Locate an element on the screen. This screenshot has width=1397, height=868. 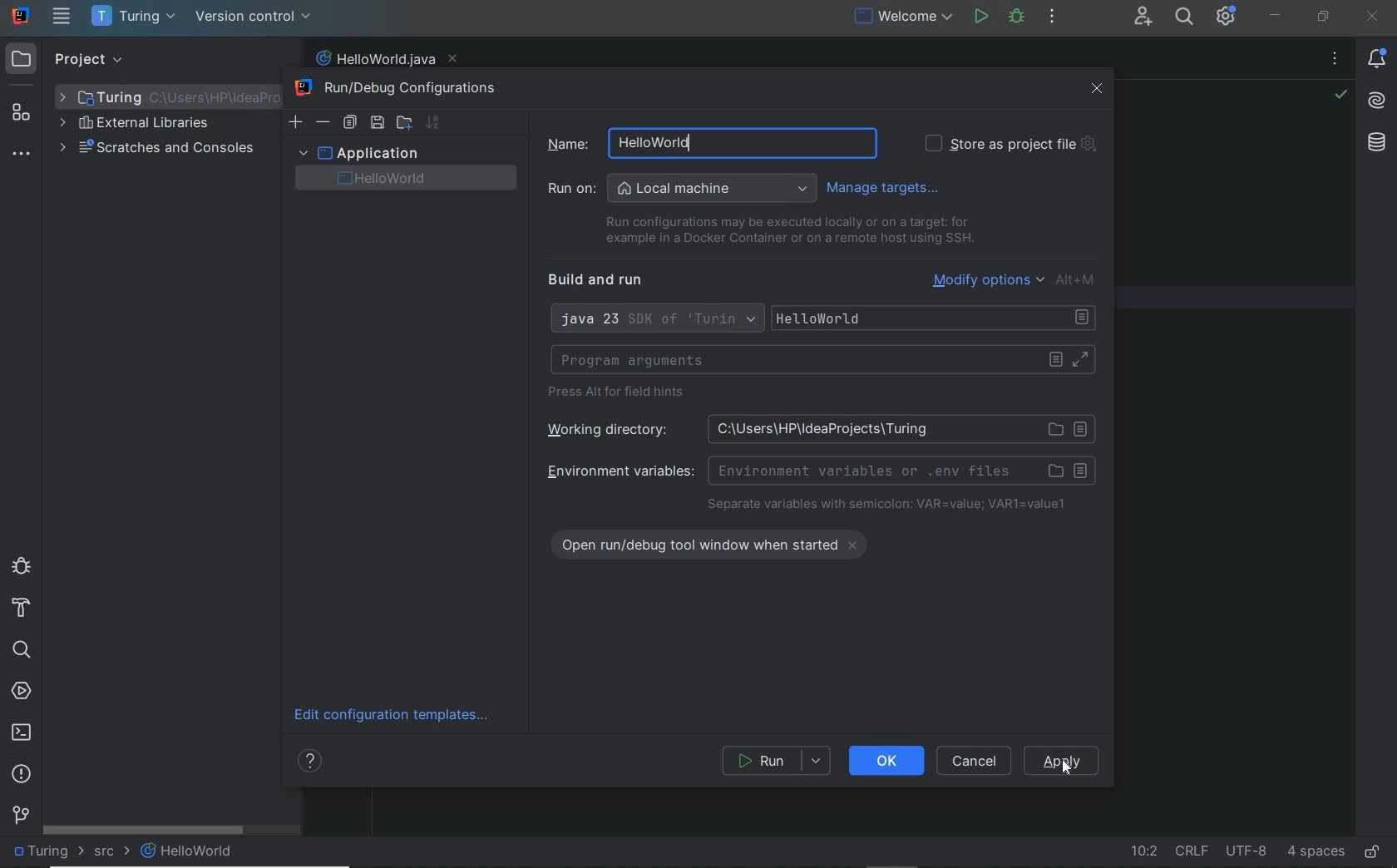
debug is located at coordinates (1017, 17).